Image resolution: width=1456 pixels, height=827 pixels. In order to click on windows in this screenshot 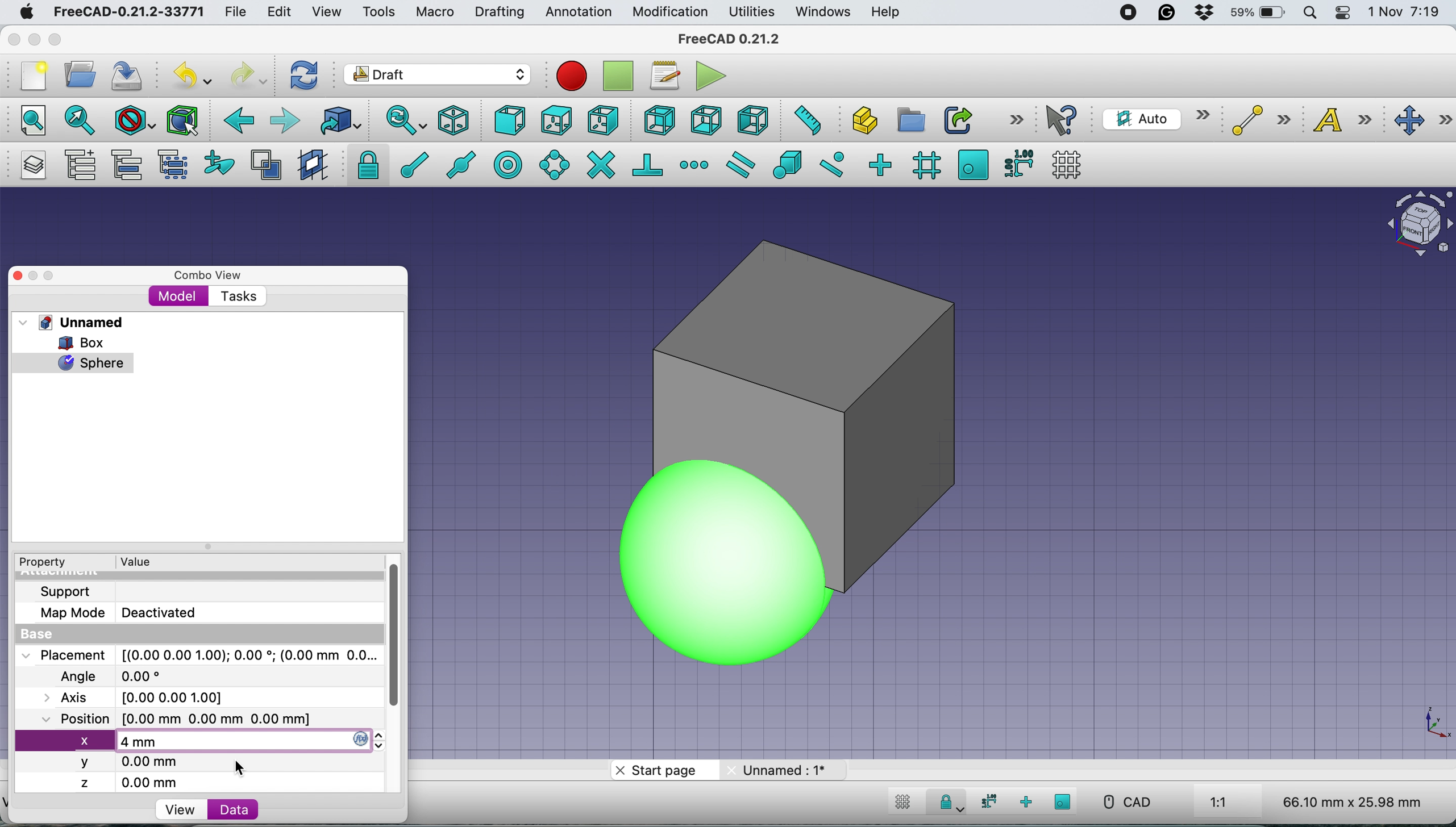, I will do `click(825, 12)`.